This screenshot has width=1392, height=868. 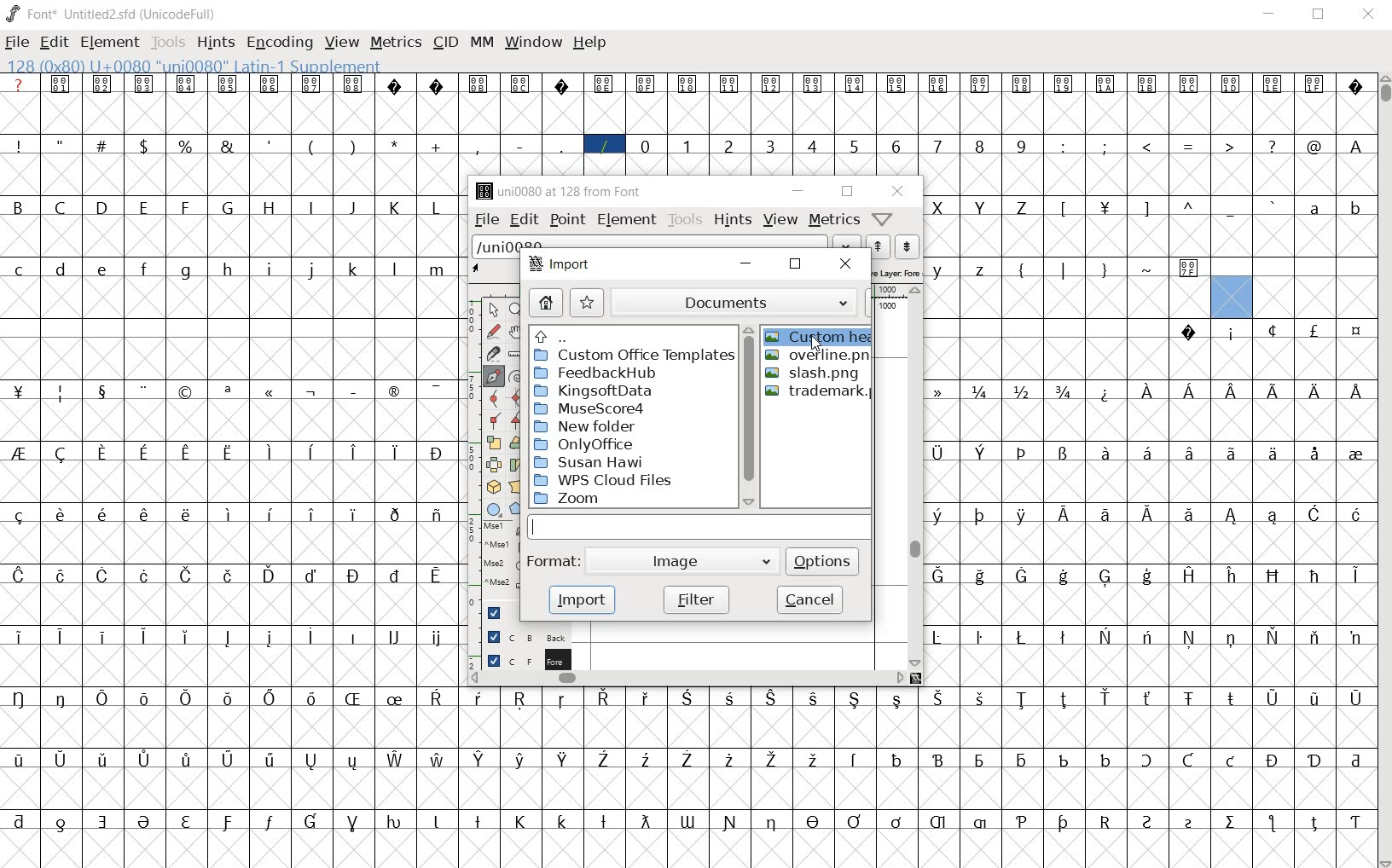 What do you see at coordinates (143, 822) in the screenshot?
I see `glyph` at bounding box center [143, 822].